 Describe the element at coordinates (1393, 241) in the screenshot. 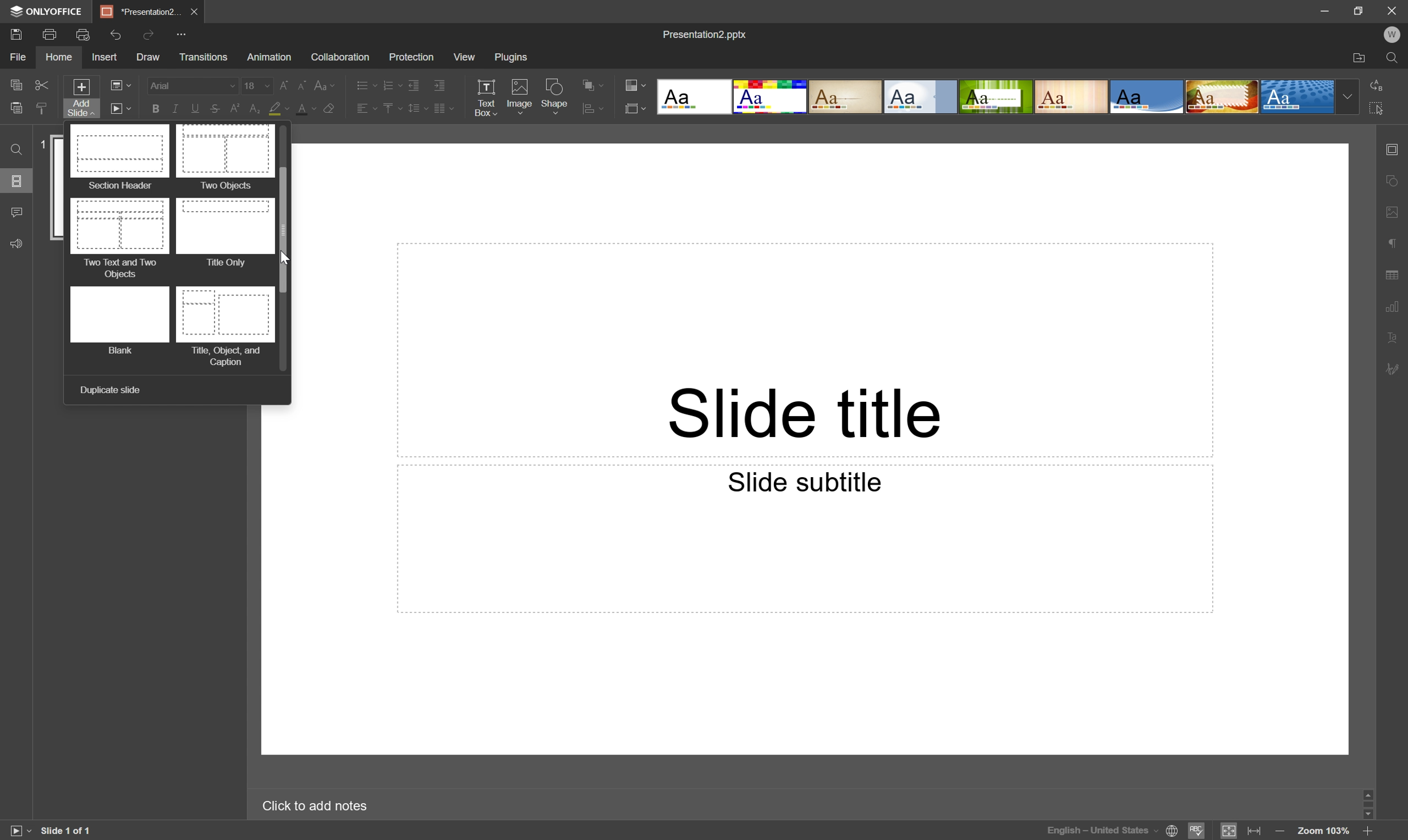

I see `Paragraph settings` at that location.